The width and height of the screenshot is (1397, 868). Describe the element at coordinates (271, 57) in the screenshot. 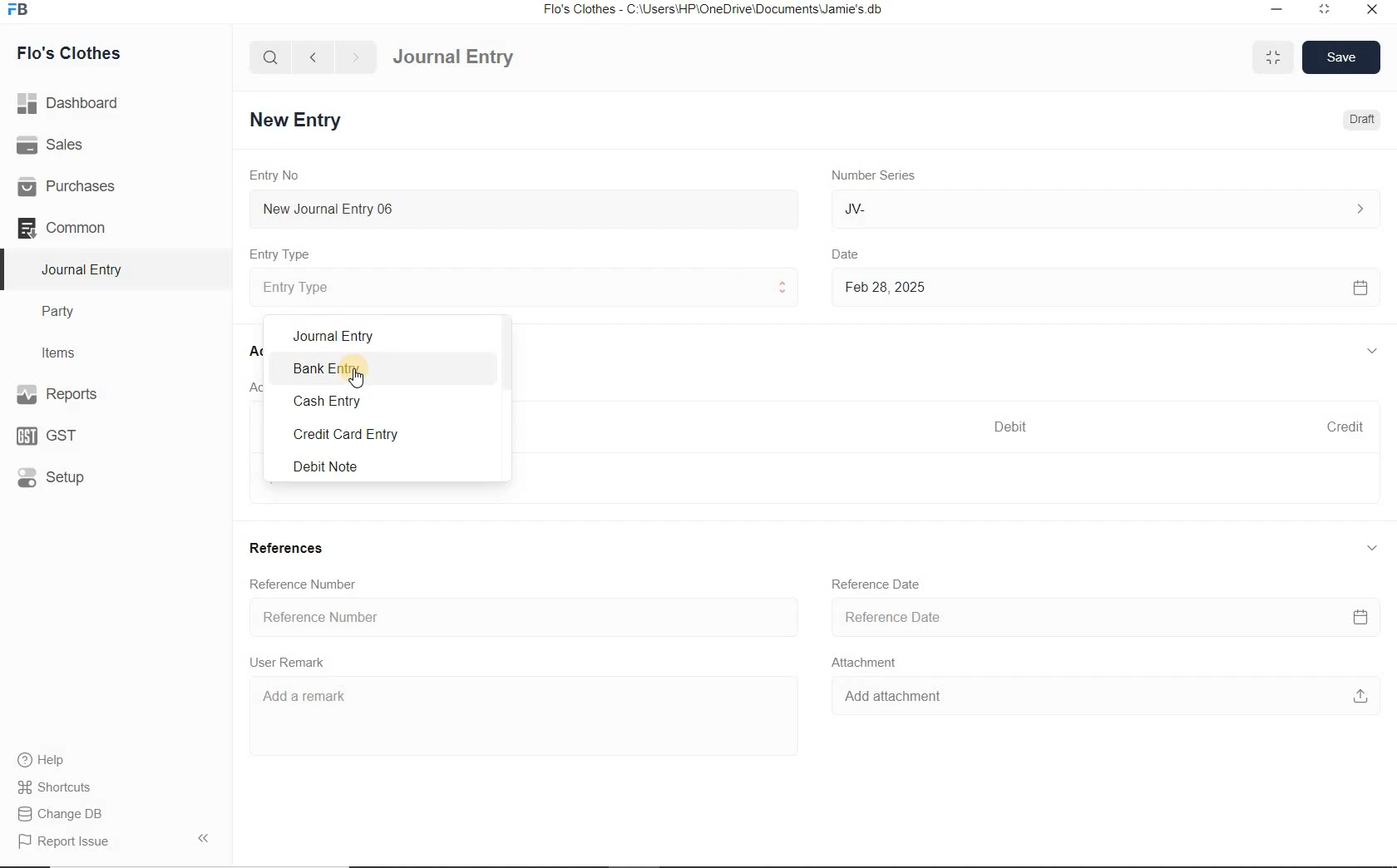

I see `search` at that location.